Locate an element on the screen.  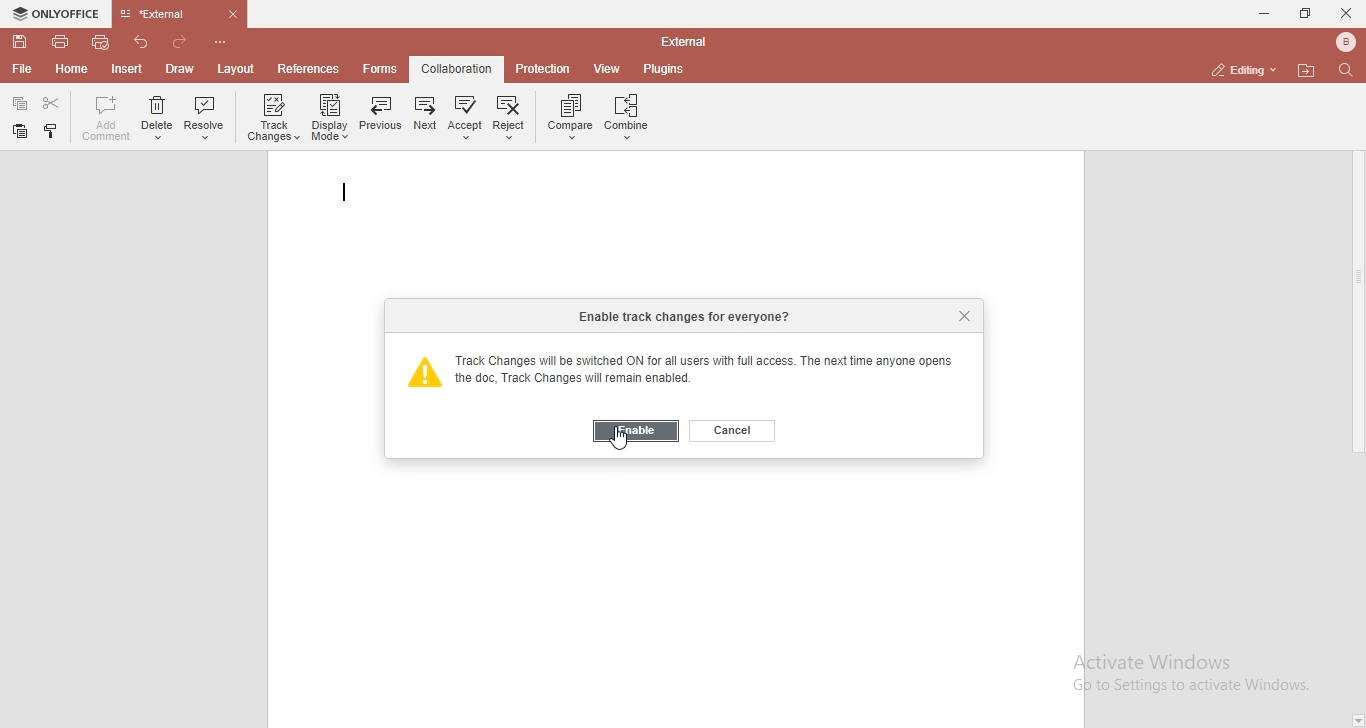
restore is located at coordinates (1307, 12).